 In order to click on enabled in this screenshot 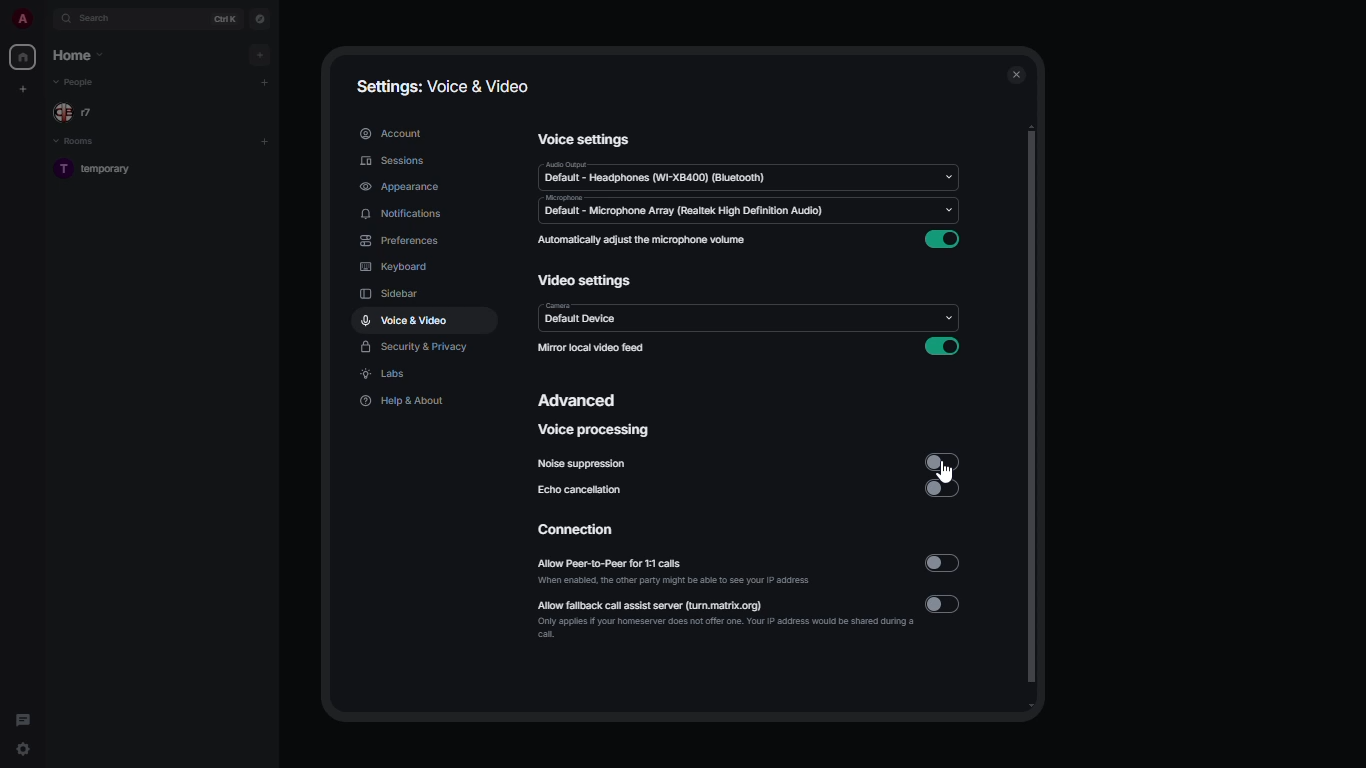, I will do `click(943, 346)`.